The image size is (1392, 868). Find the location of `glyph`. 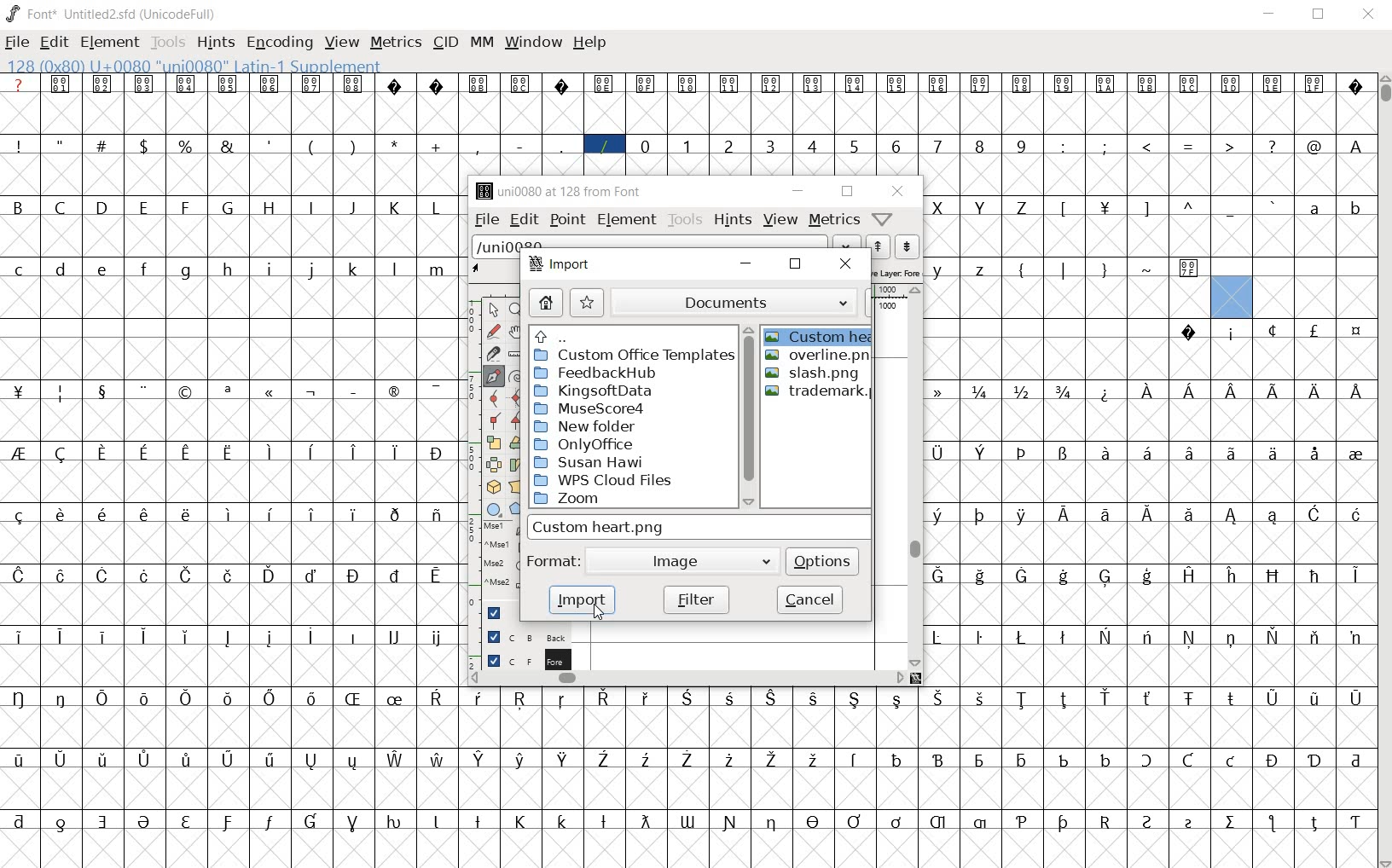

glyph is located at coordinates (1147, 84).